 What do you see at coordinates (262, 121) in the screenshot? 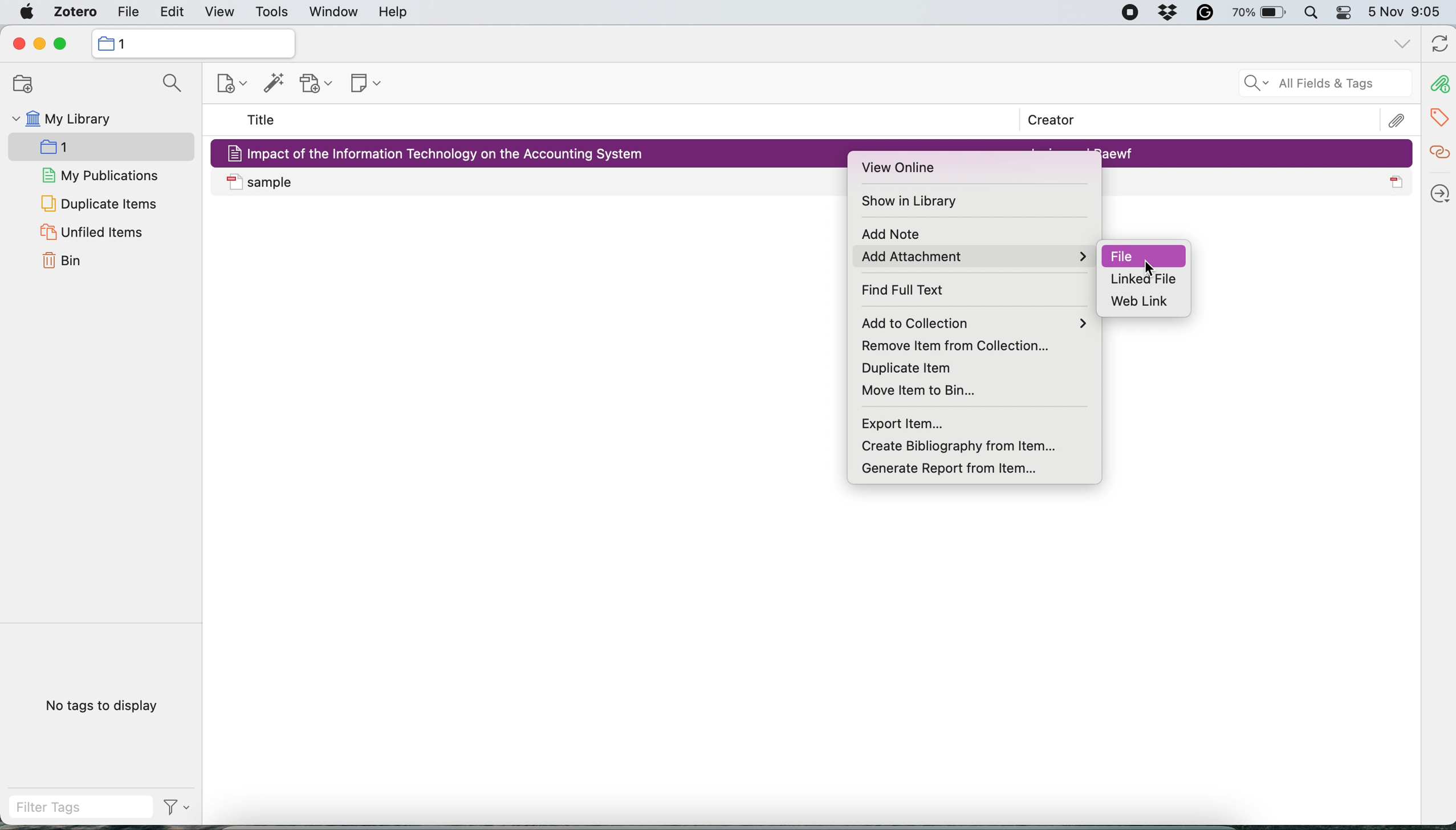
I see `title` at bounding box center [262, 121].